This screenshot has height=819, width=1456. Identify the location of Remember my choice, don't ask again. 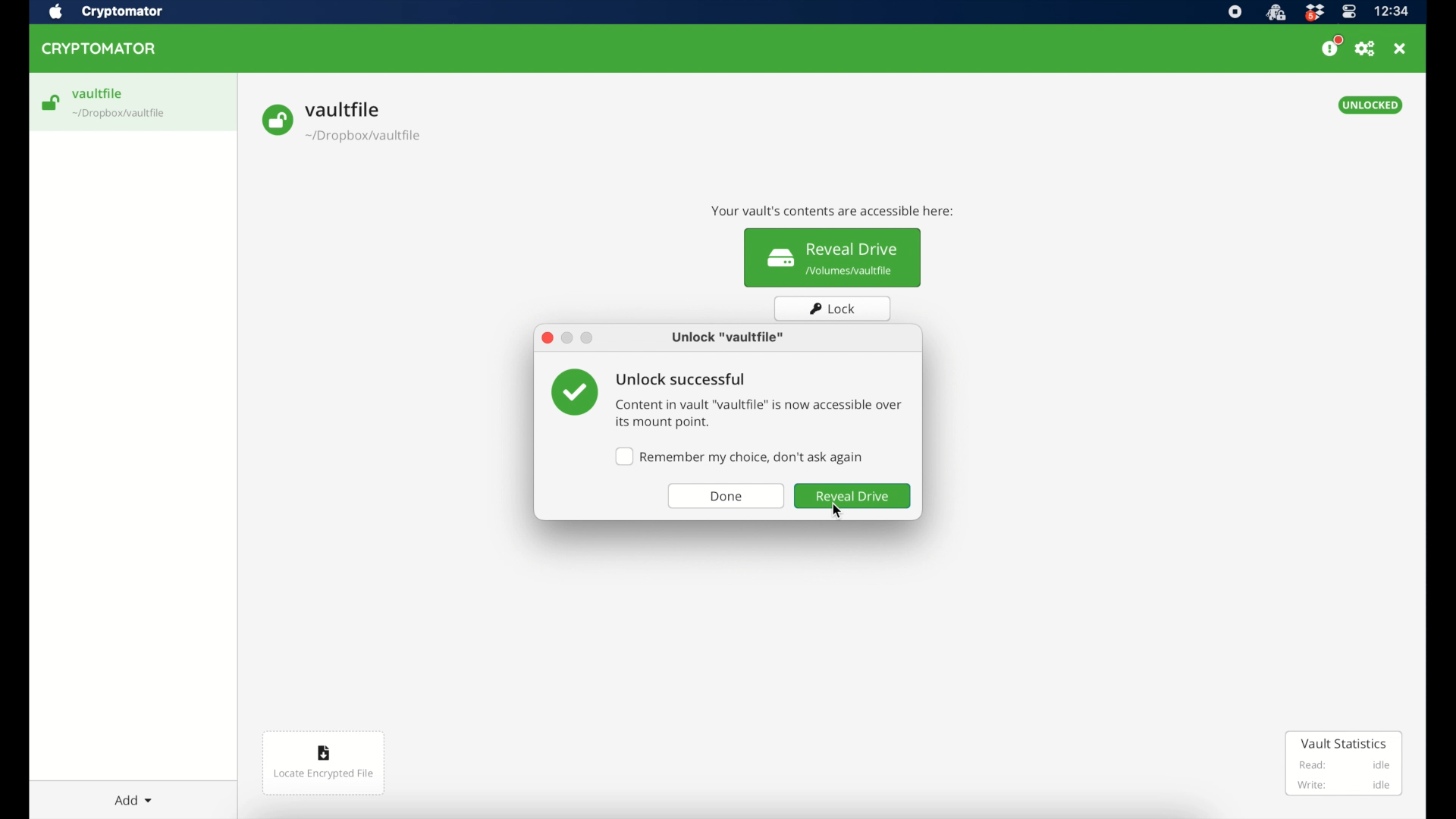
(741, 457).